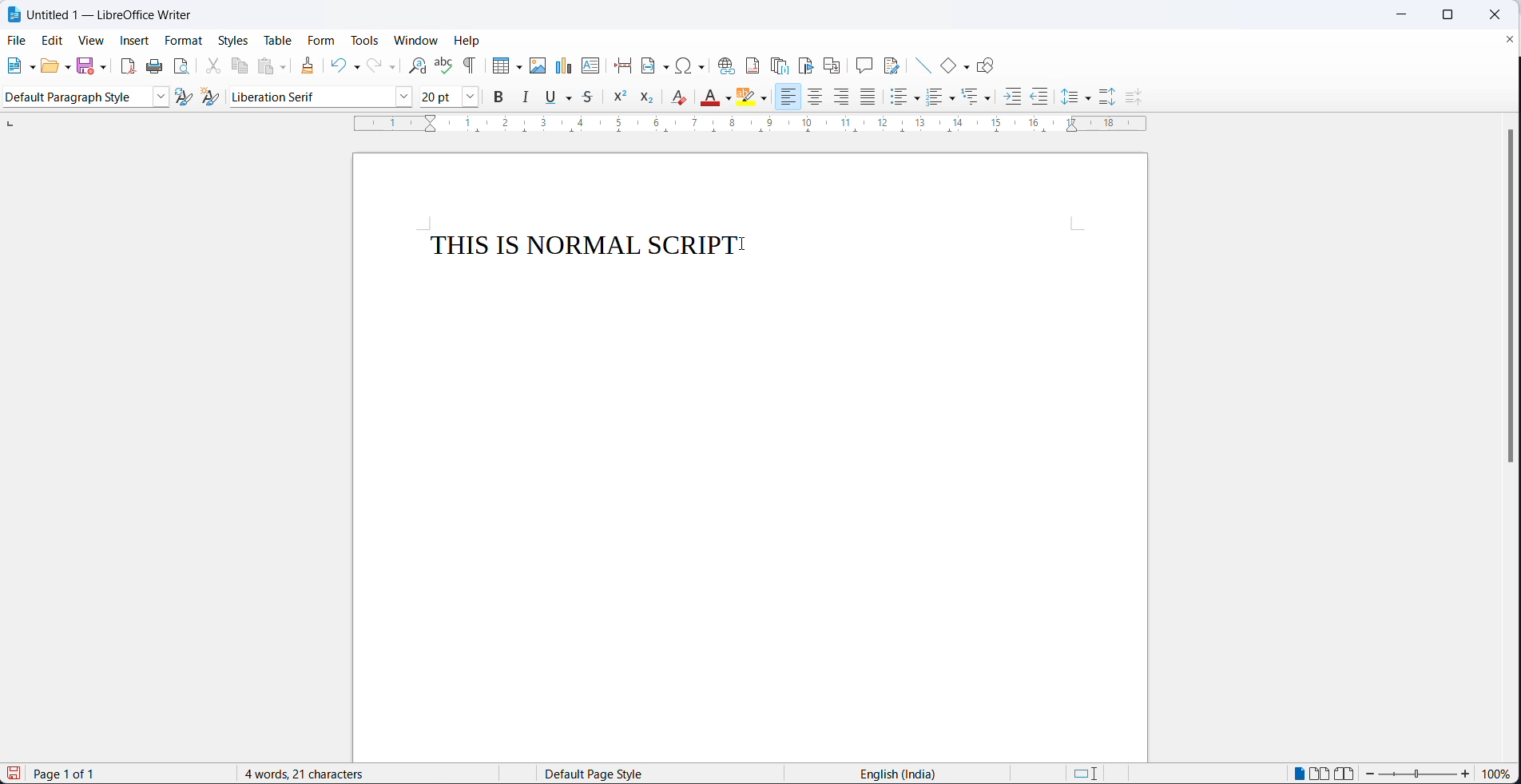 The height and width of the screenshot is (784, 1521). What do you see at coordinates (783, 65) in the screenshot?
I see `inert endnote` at bounding box center [783, 65].